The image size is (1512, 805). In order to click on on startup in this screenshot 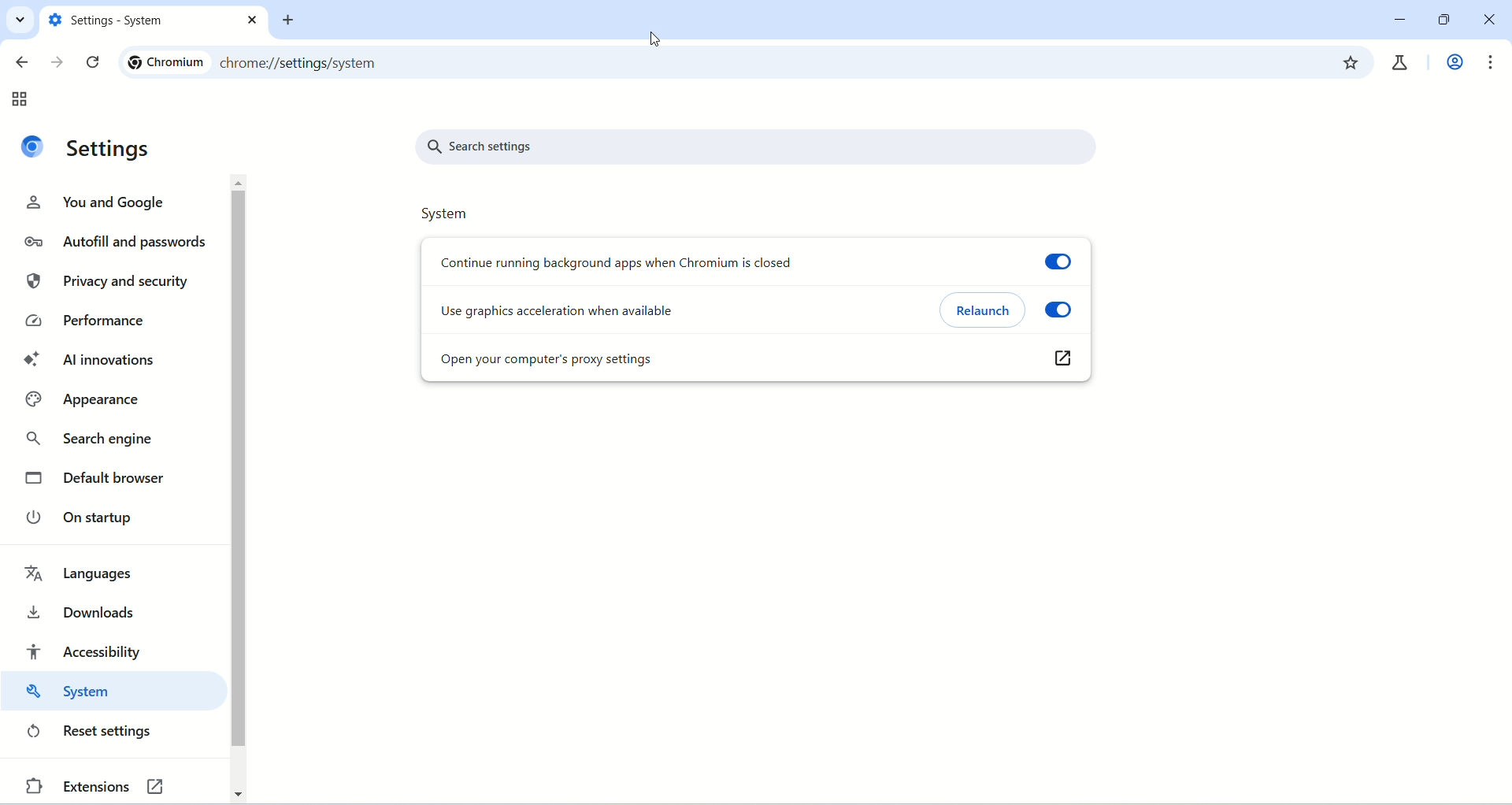, I will do `click(84, 516)`.